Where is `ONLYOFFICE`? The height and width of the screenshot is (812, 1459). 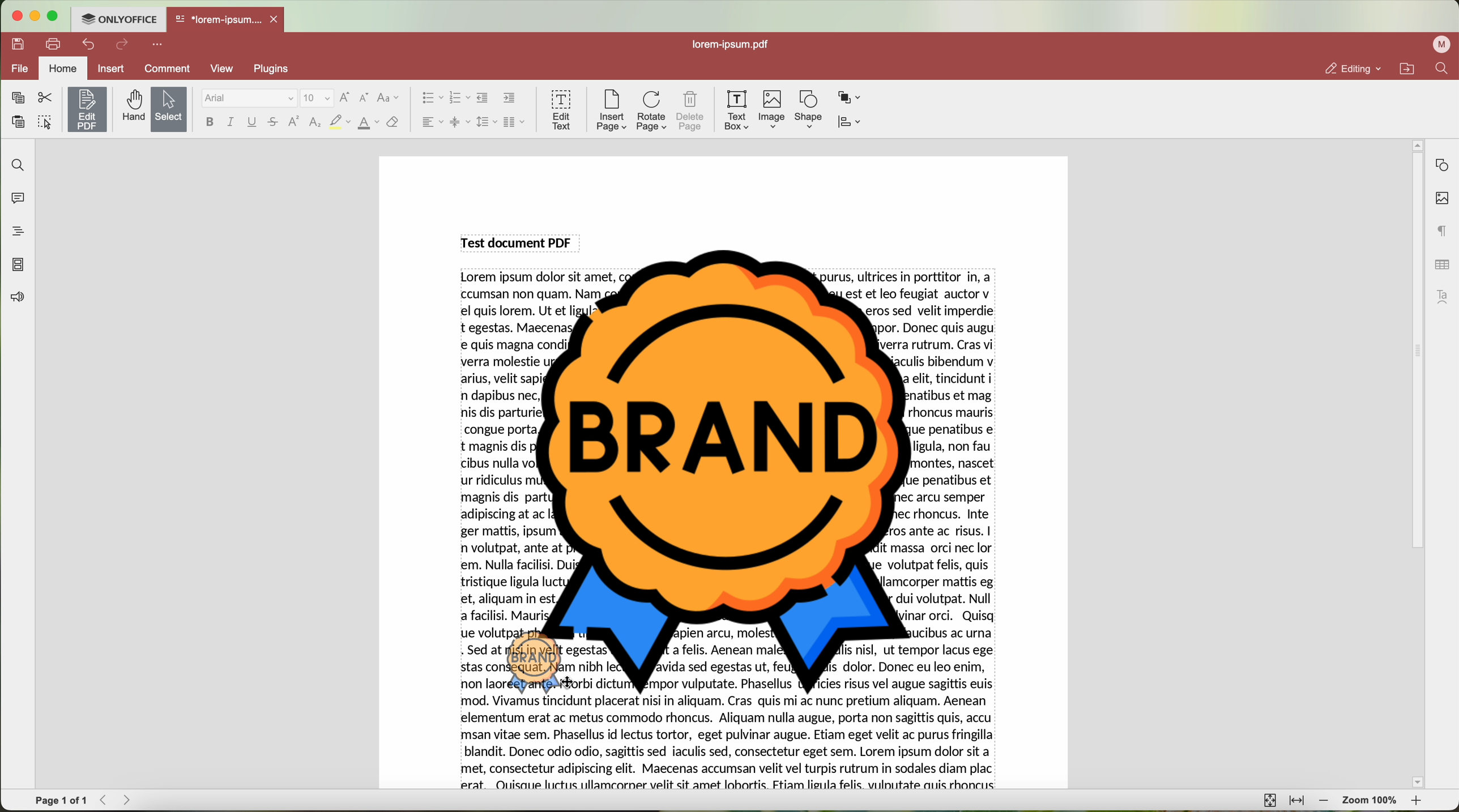 ONLYOFFICE is located at coordinates (118, 18).